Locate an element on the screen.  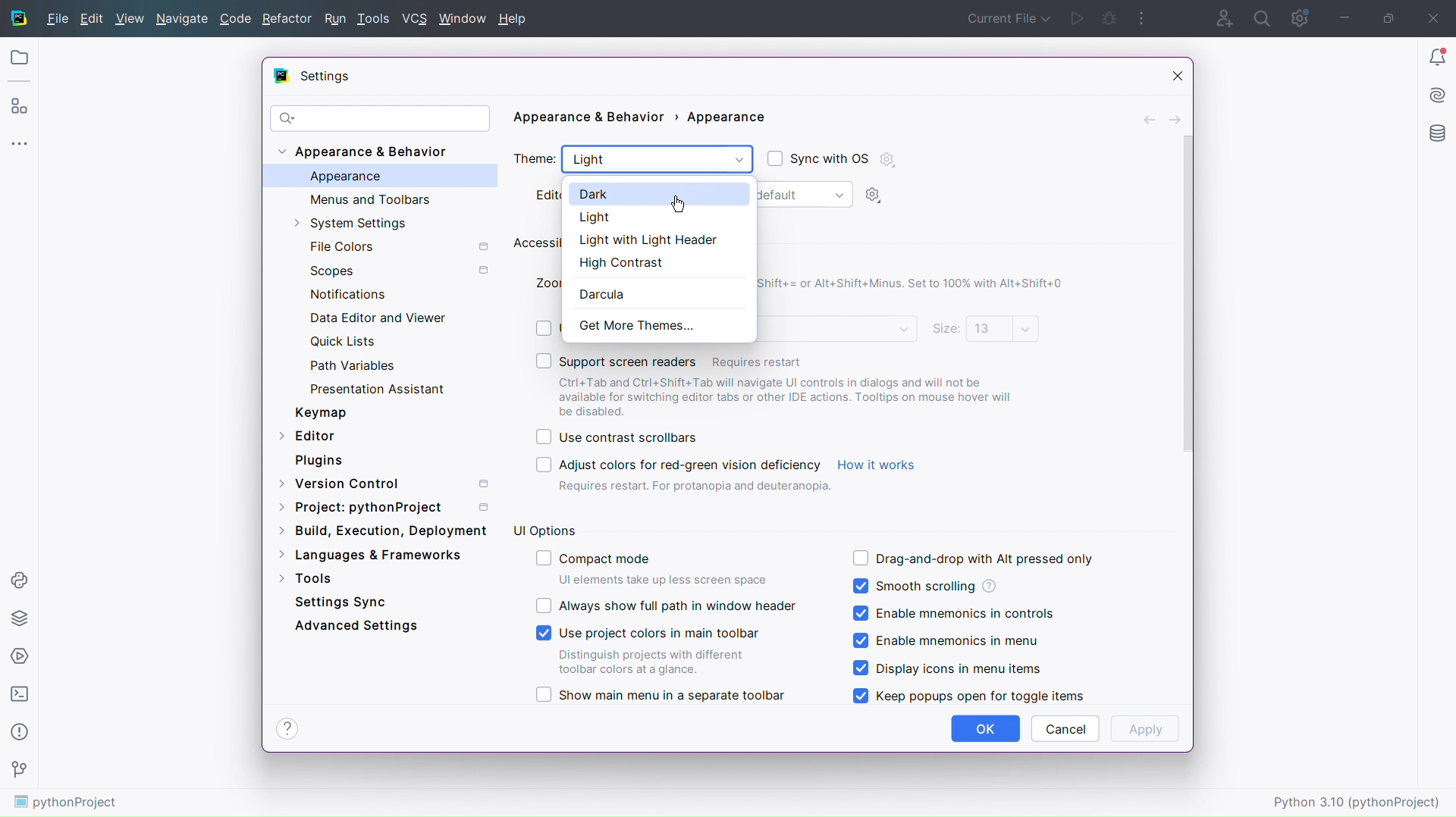
Drag-and-drop  is located at coordinates (972, 557).